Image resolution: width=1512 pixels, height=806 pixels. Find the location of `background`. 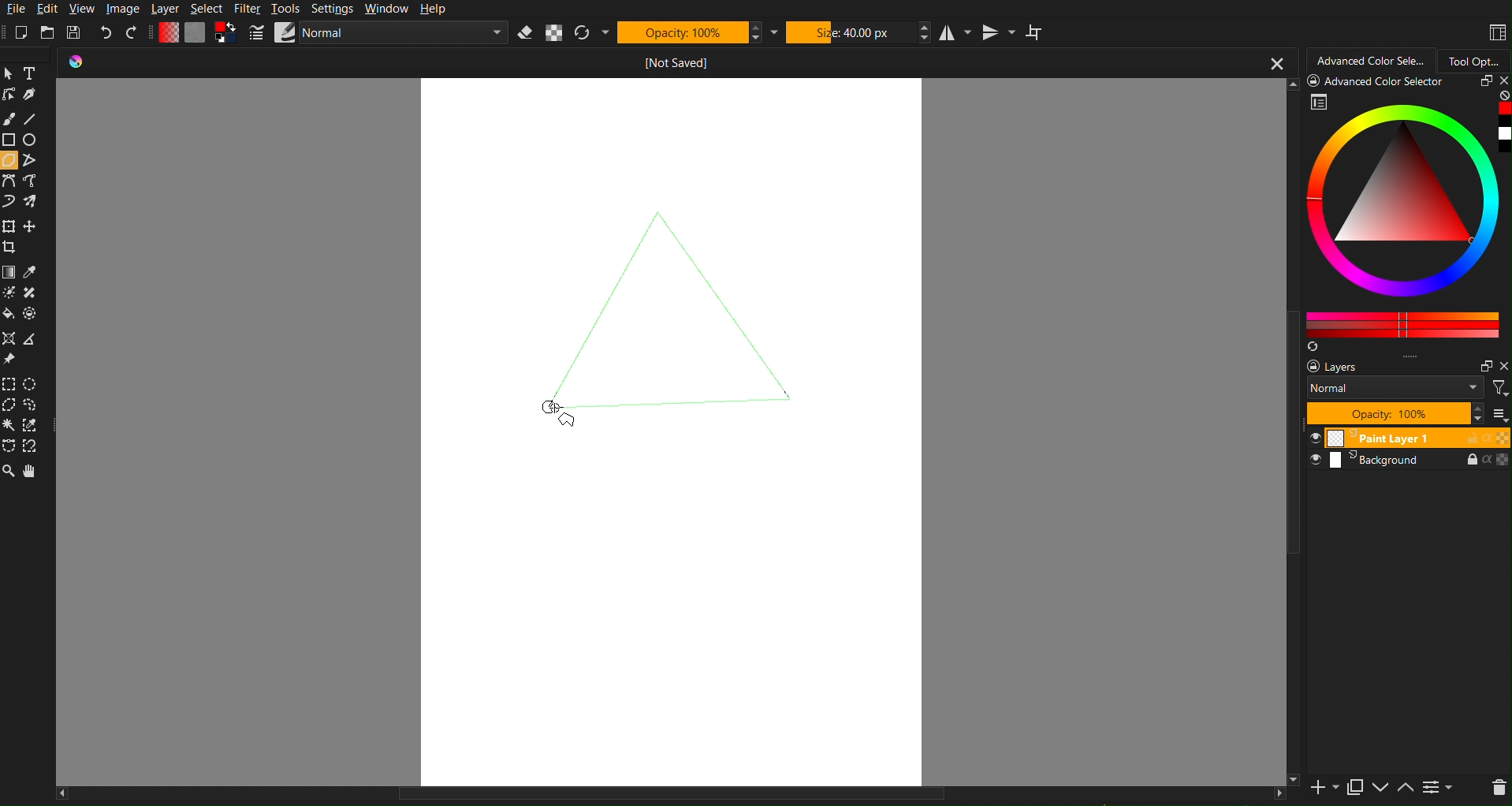

background is located at coordinates (1410, 462).